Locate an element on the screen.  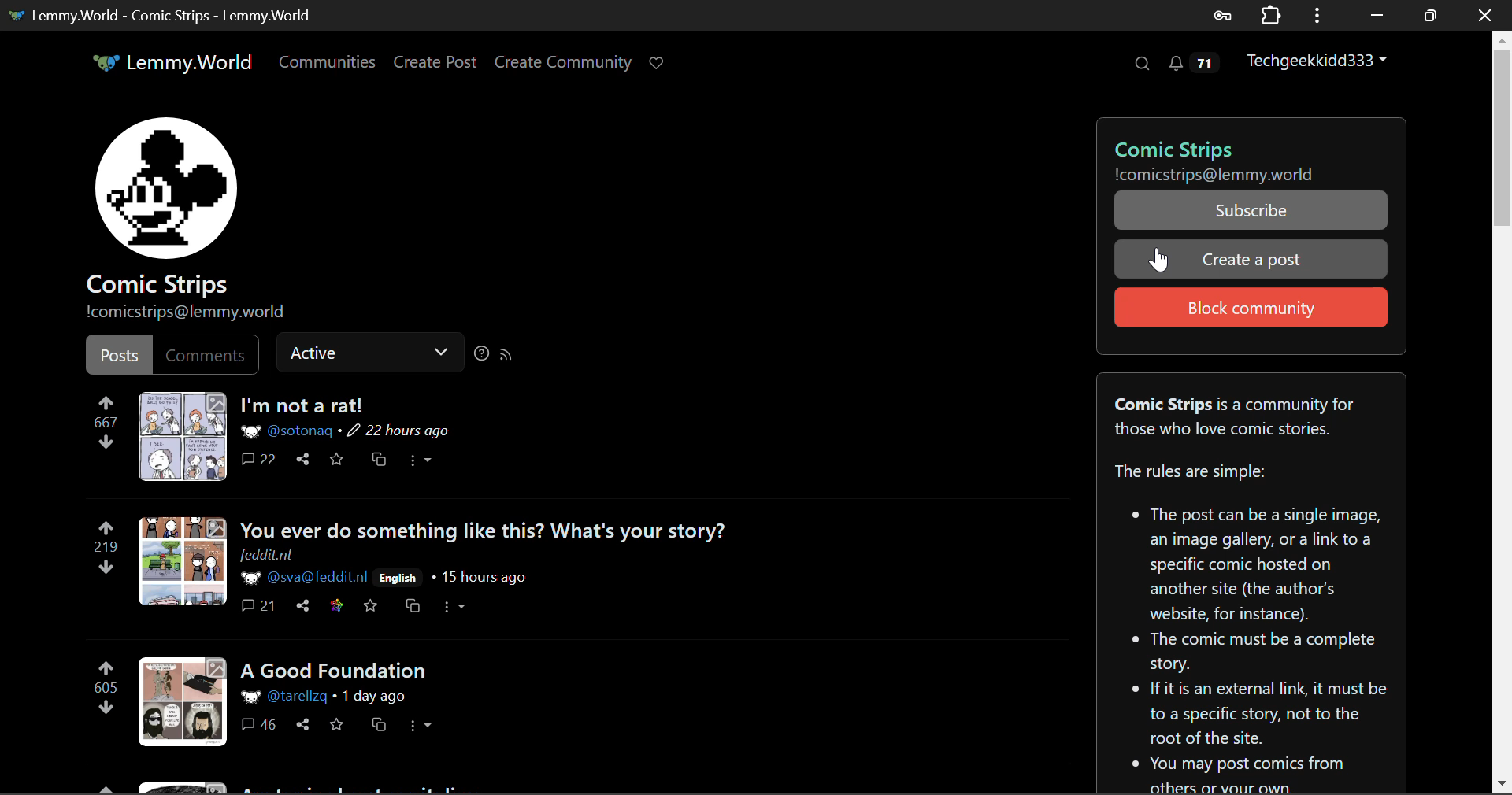
Extensions is located at coordinates (1270, 15).